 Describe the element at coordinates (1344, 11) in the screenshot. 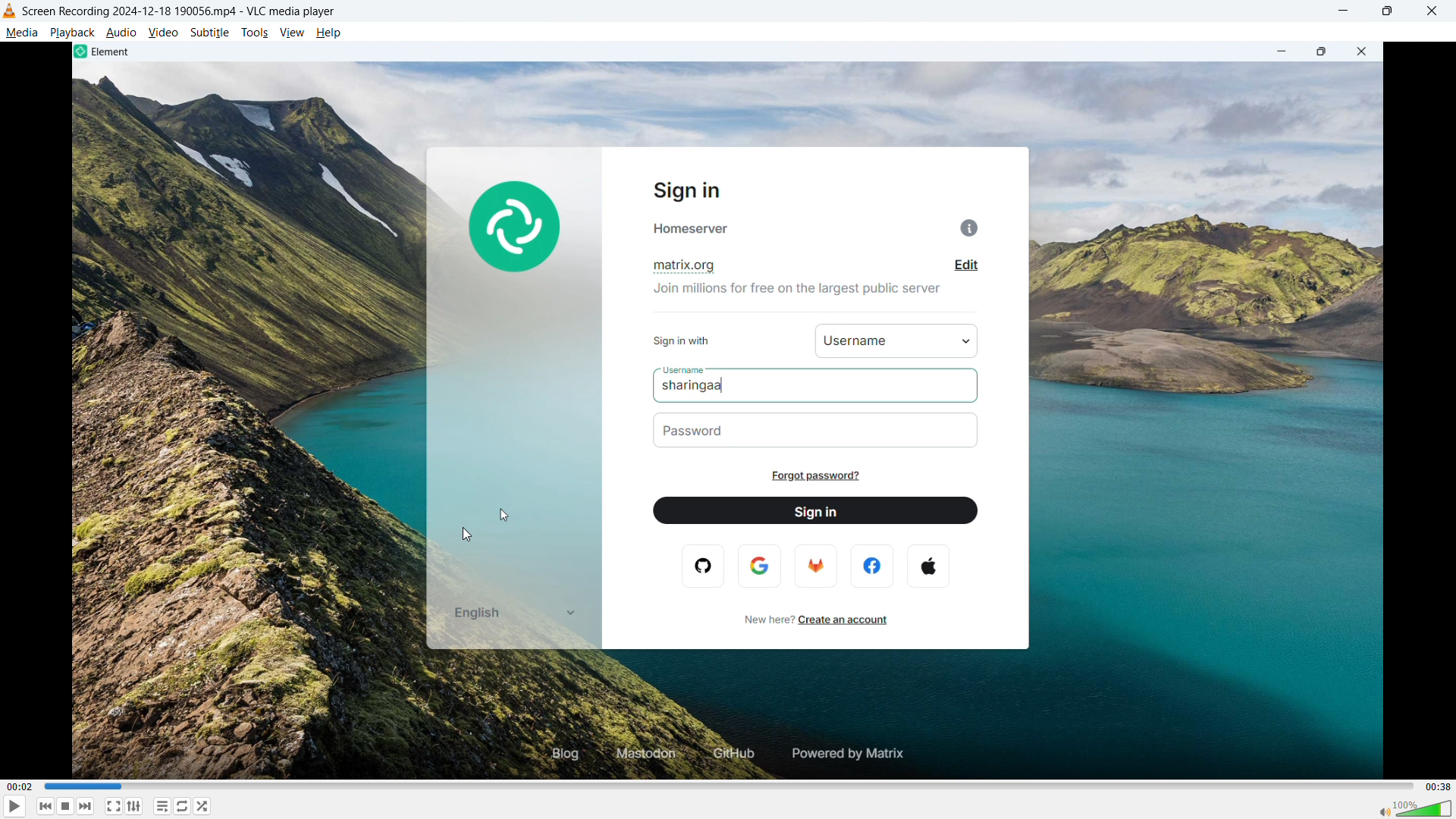

I see `minimise ` at that location.